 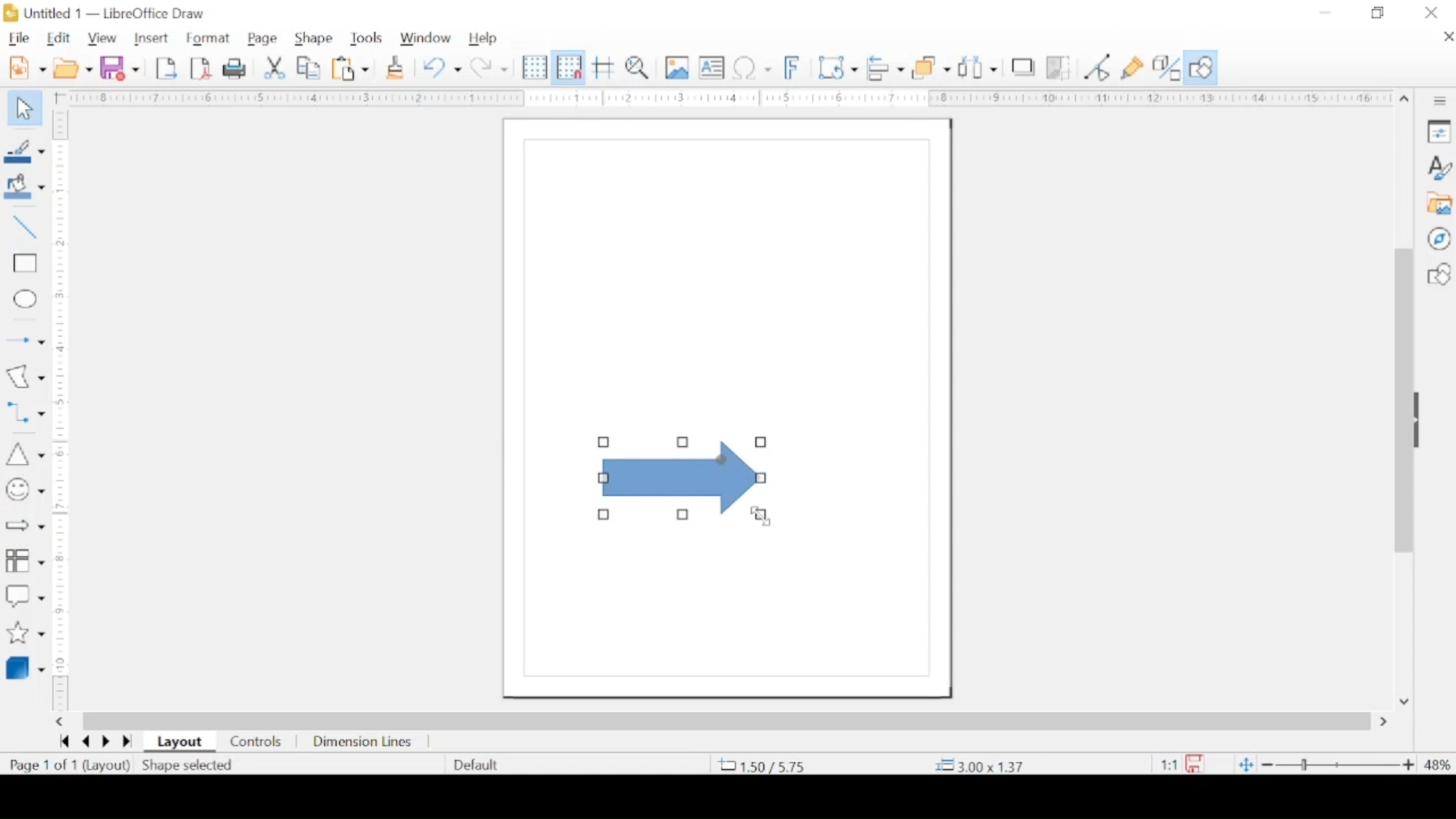 I want to click on 3d object, so click(x=27, y=667).